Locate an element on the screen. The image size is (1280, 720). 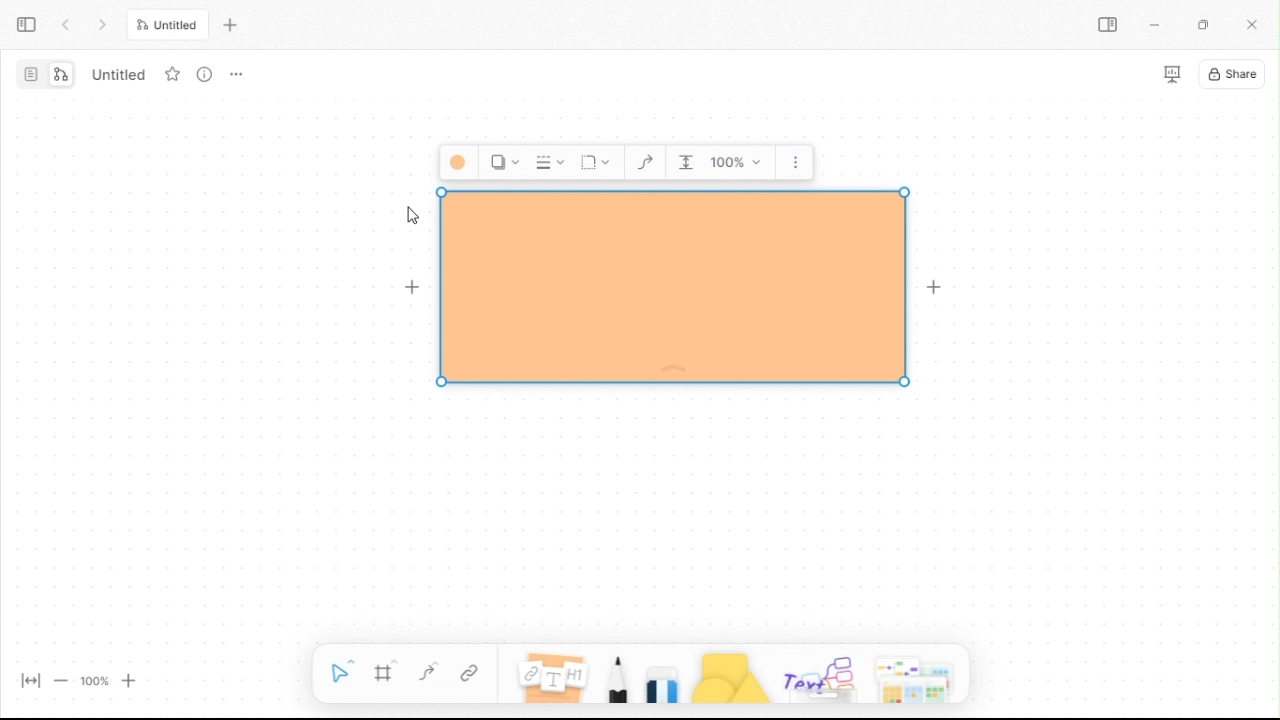
link is located at coordinates (471, 675).